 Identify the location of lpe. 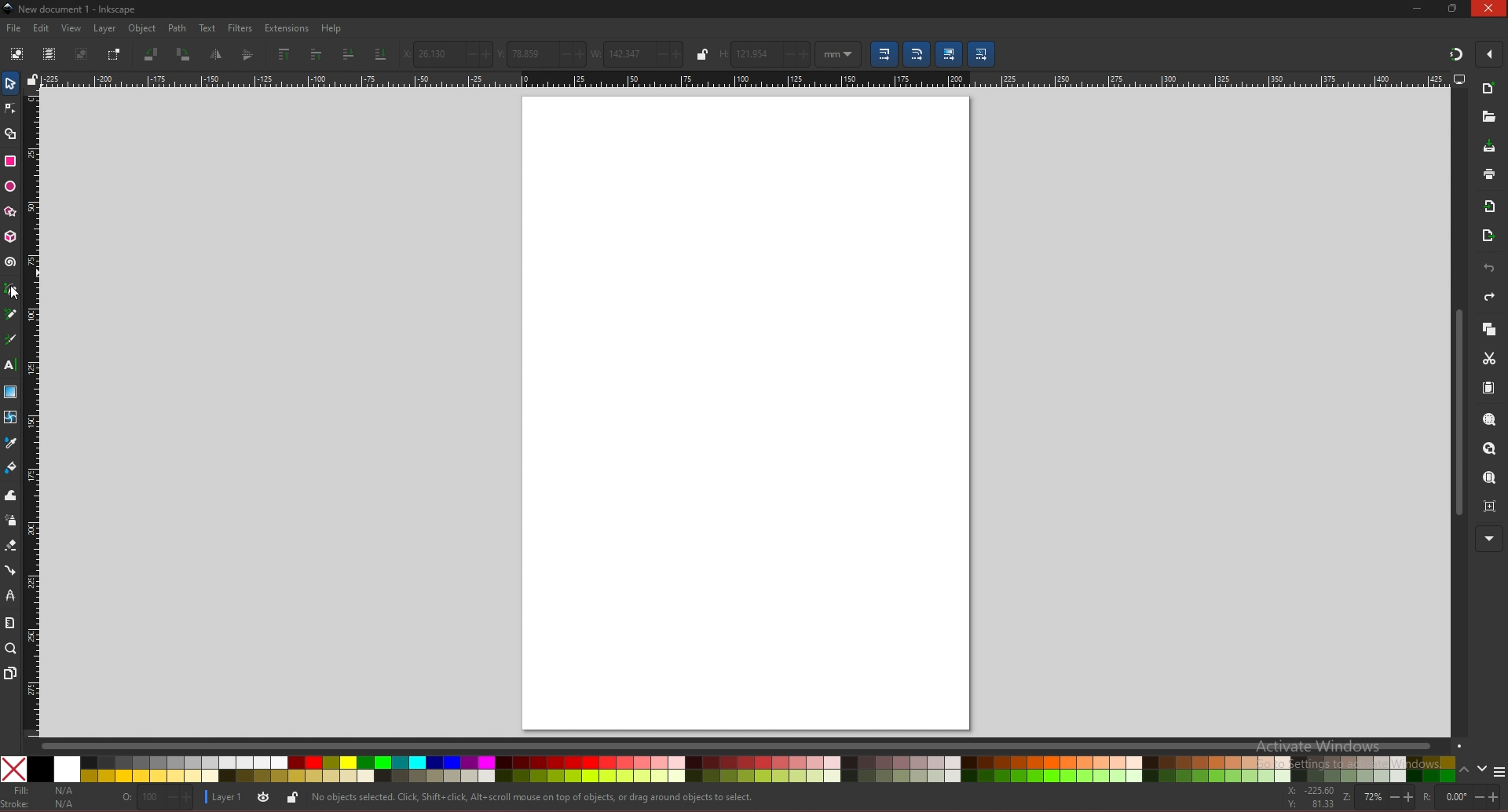
(11, 594).